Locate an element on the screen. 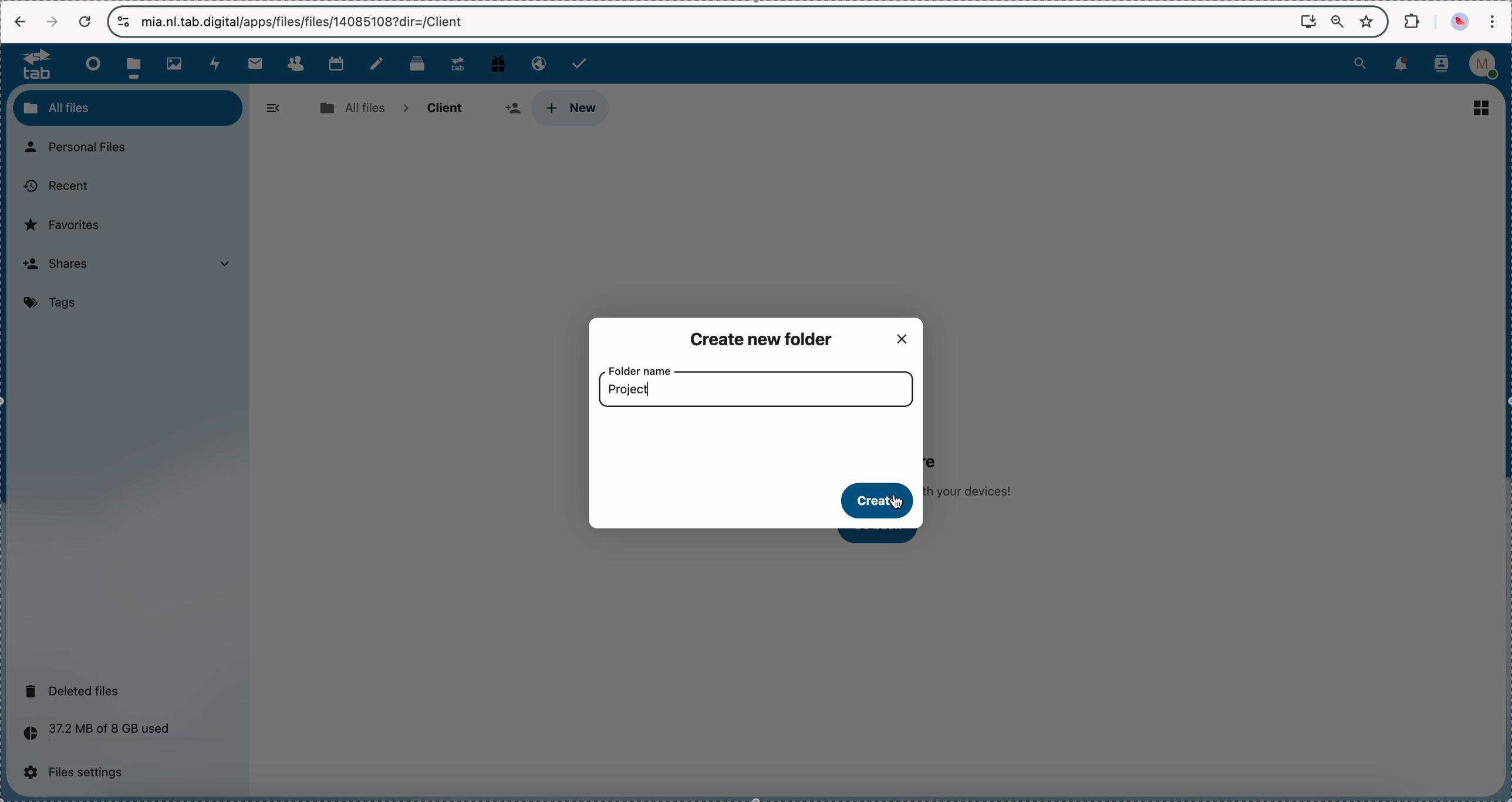 The width and height of the screenshot is (1512, 802). zoom out is located at coordinates (1338, 22).